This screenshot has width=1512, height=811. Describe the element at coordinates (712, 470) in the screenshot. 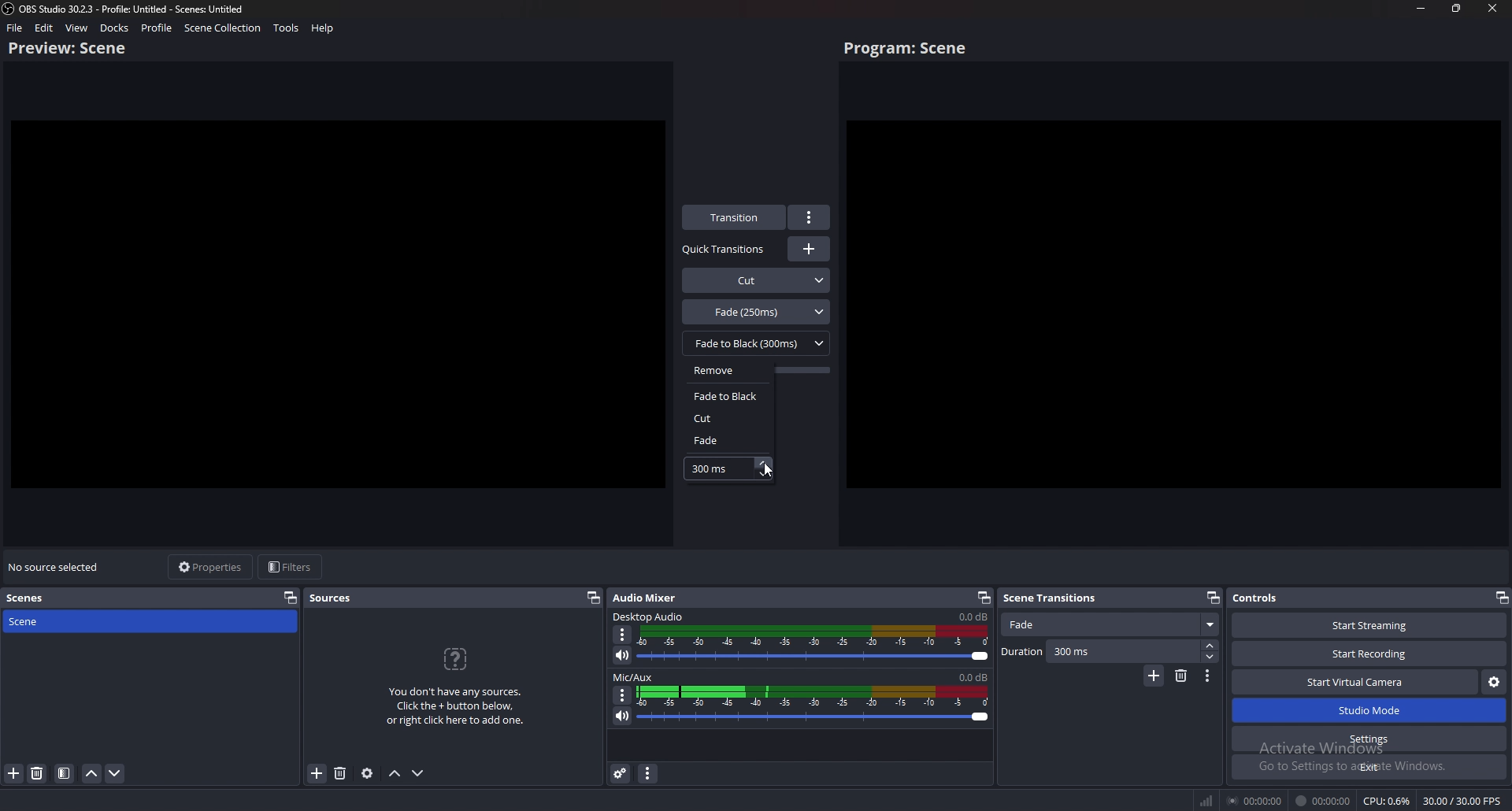

I see `fade to black duration` at that location.